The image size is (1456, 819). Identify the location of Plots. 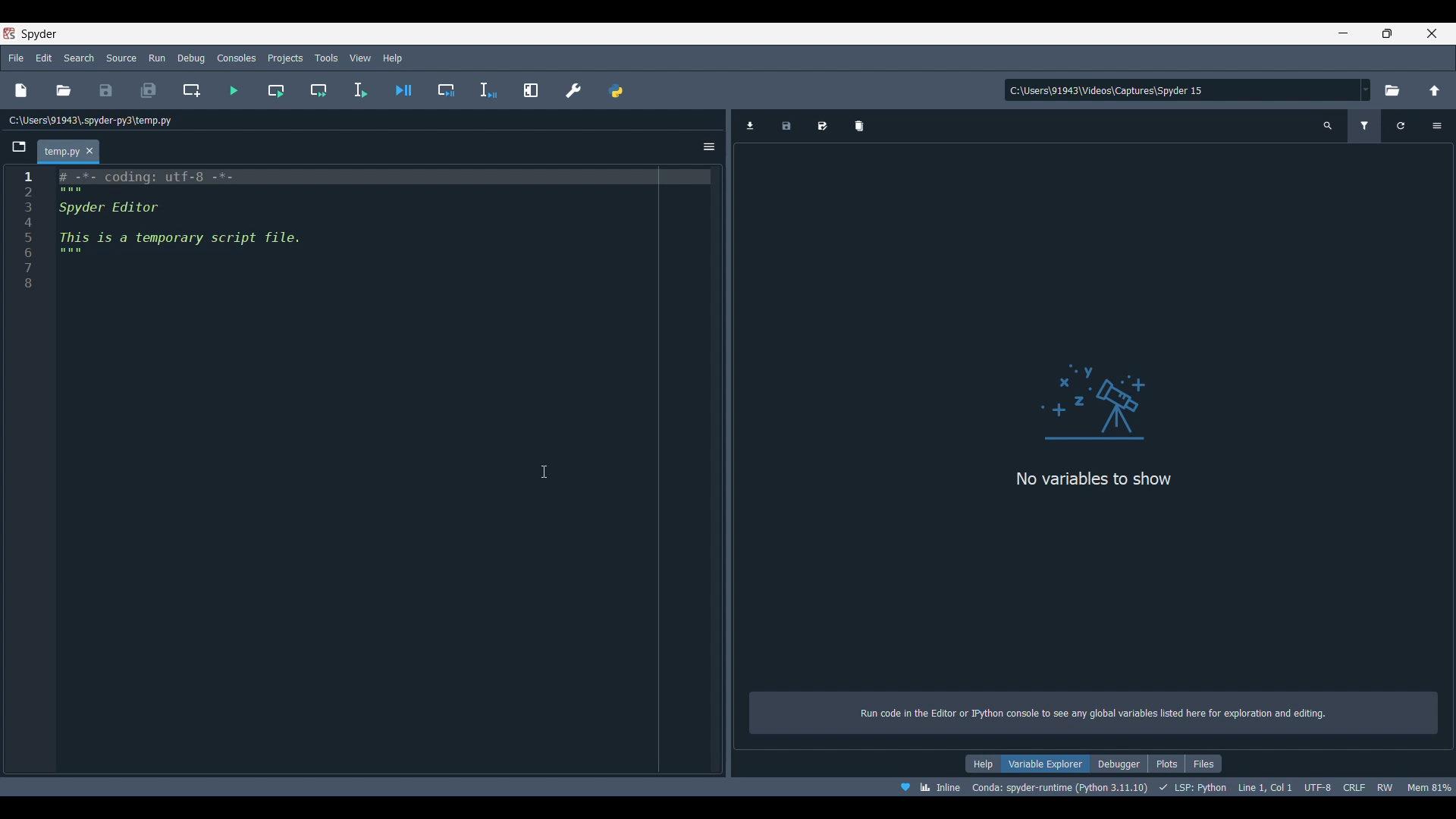
(1166, 764).